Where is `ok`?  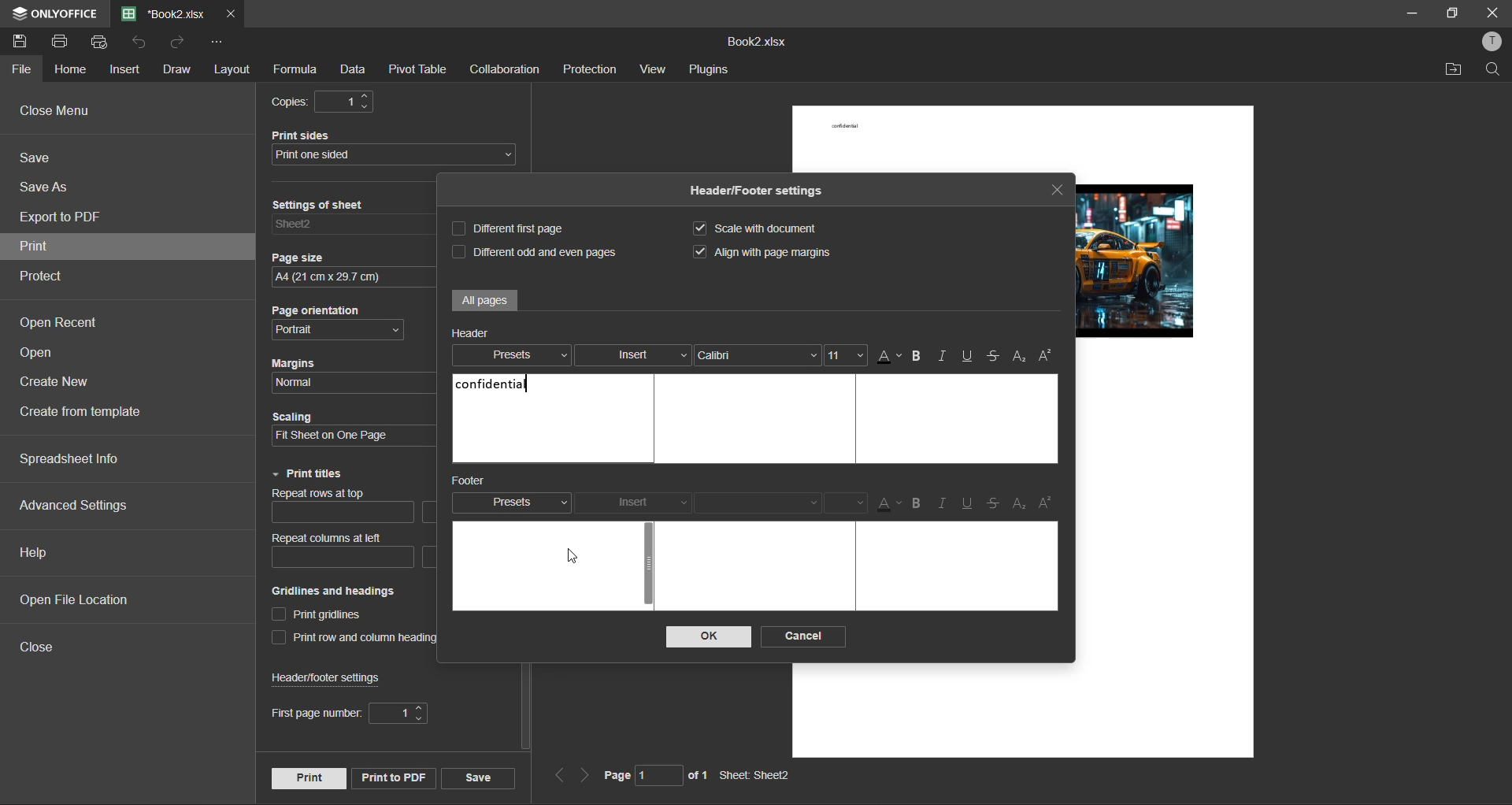 ok is located at coordinates (709, 636).